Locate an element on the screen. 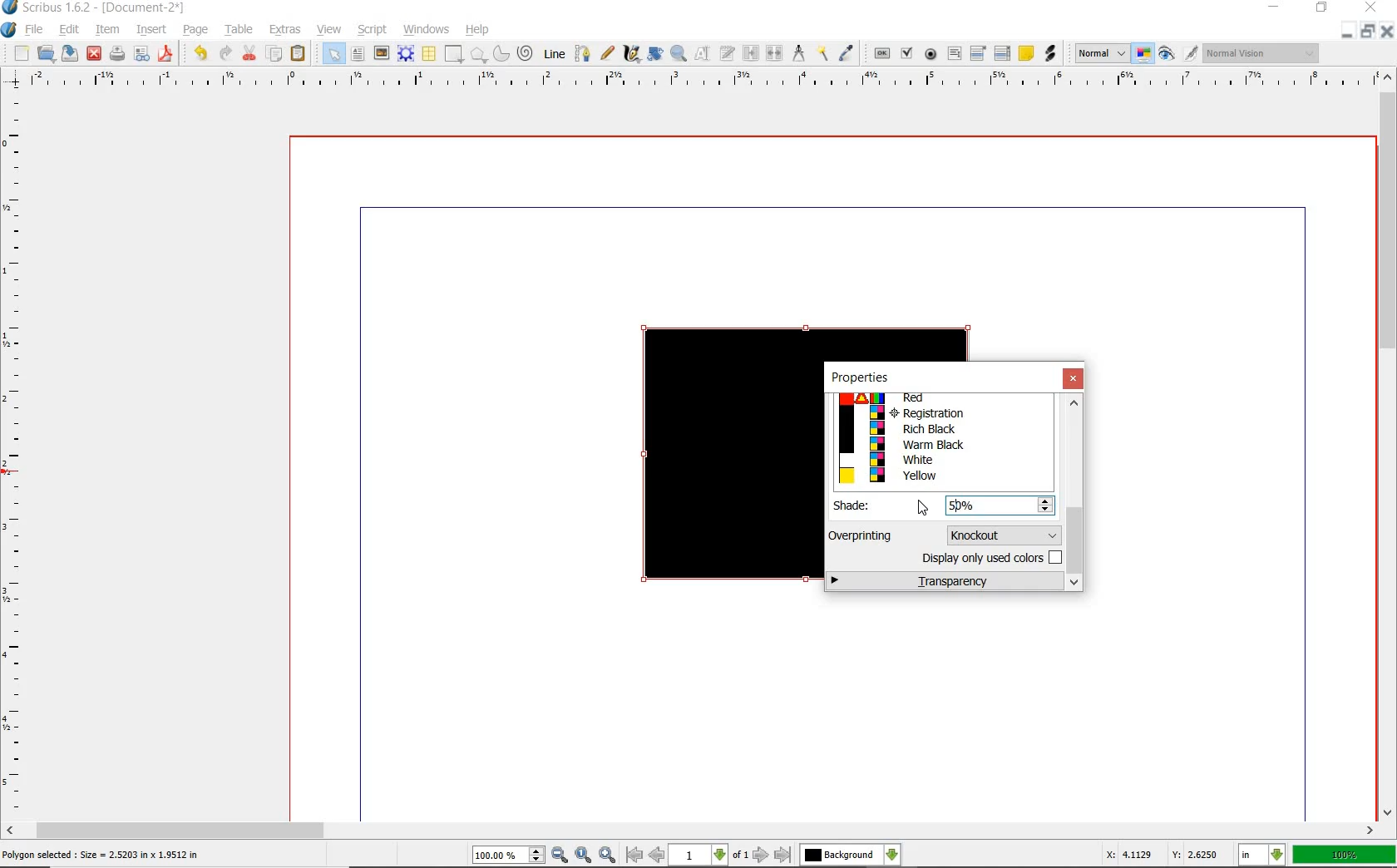  Rich Black is located at coordinates (941, 430).